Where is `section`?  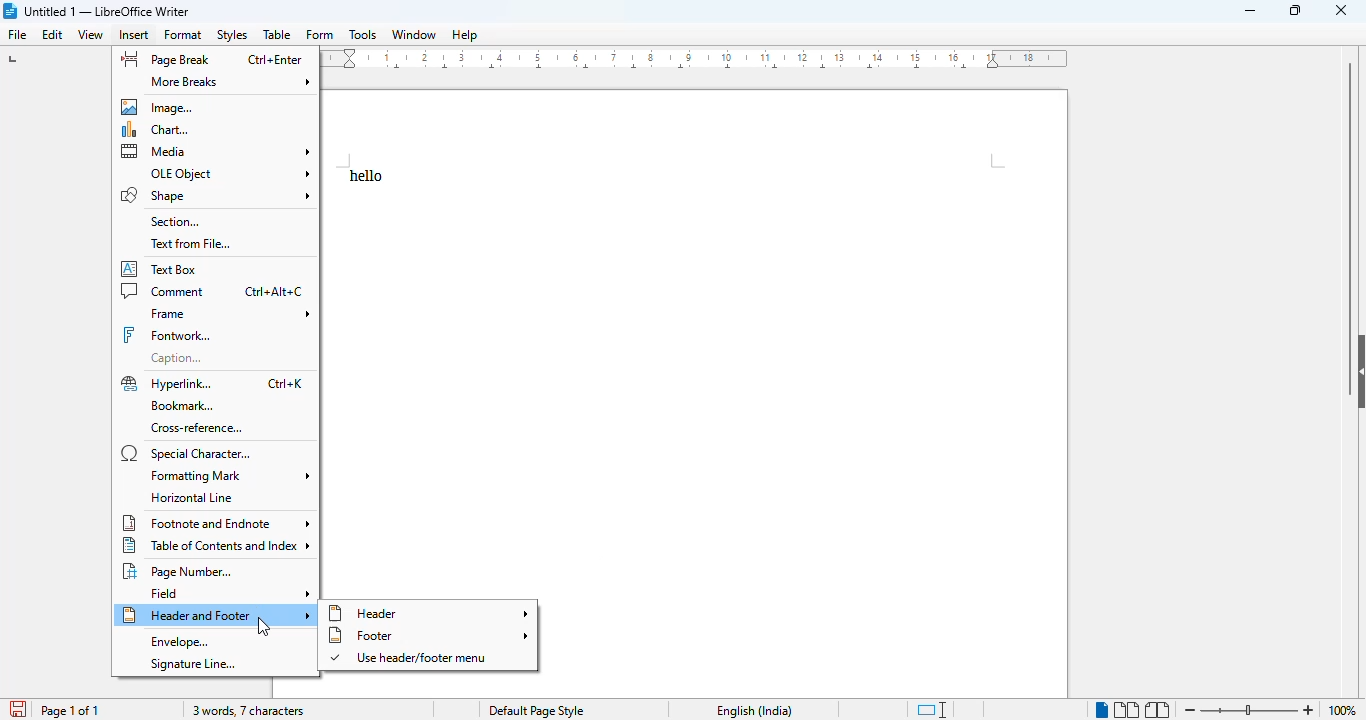 section is located at coordinates (176, 222).